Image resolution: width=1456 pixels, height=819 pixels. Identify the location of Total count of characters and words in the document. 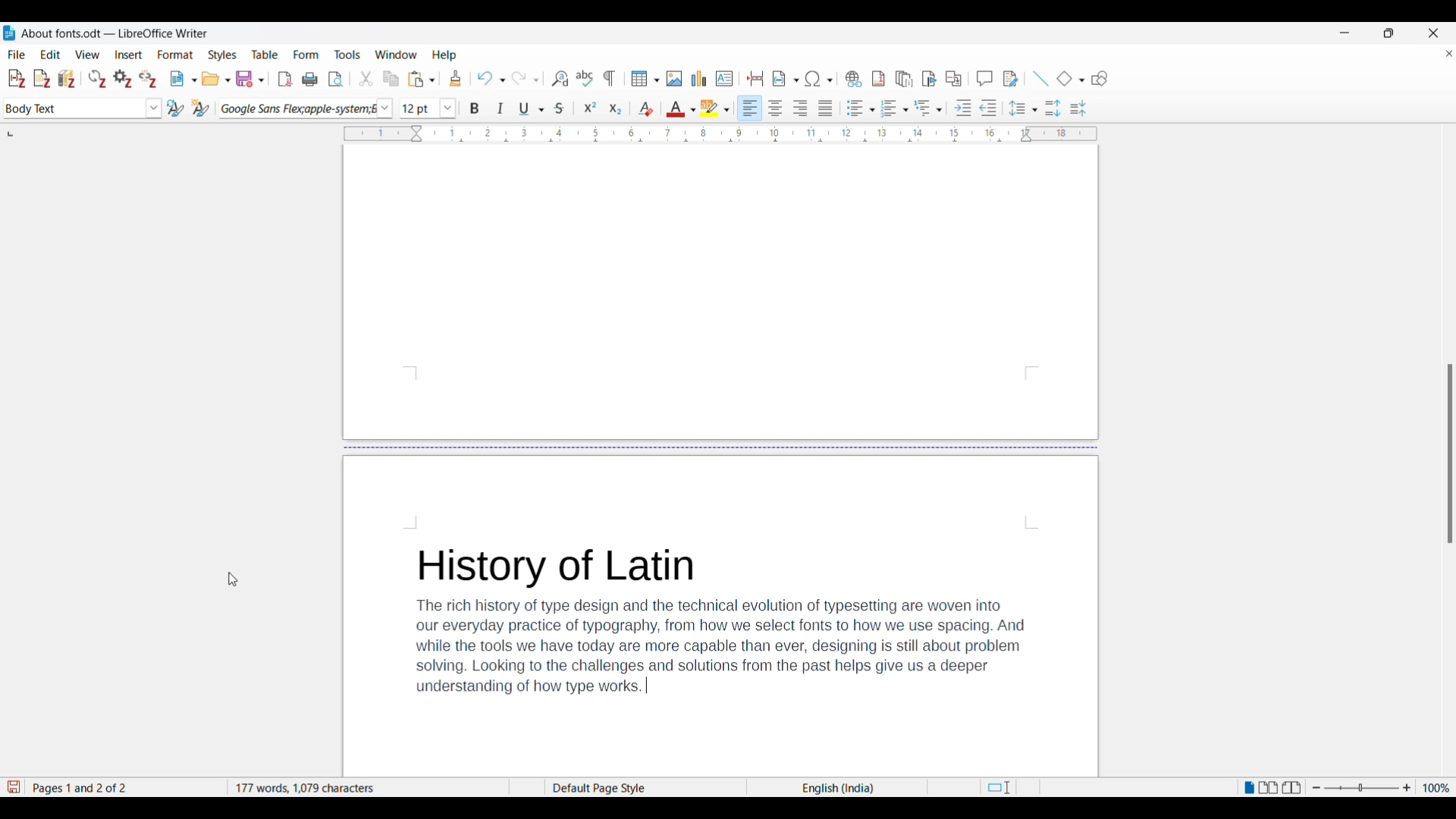
(367, 788).